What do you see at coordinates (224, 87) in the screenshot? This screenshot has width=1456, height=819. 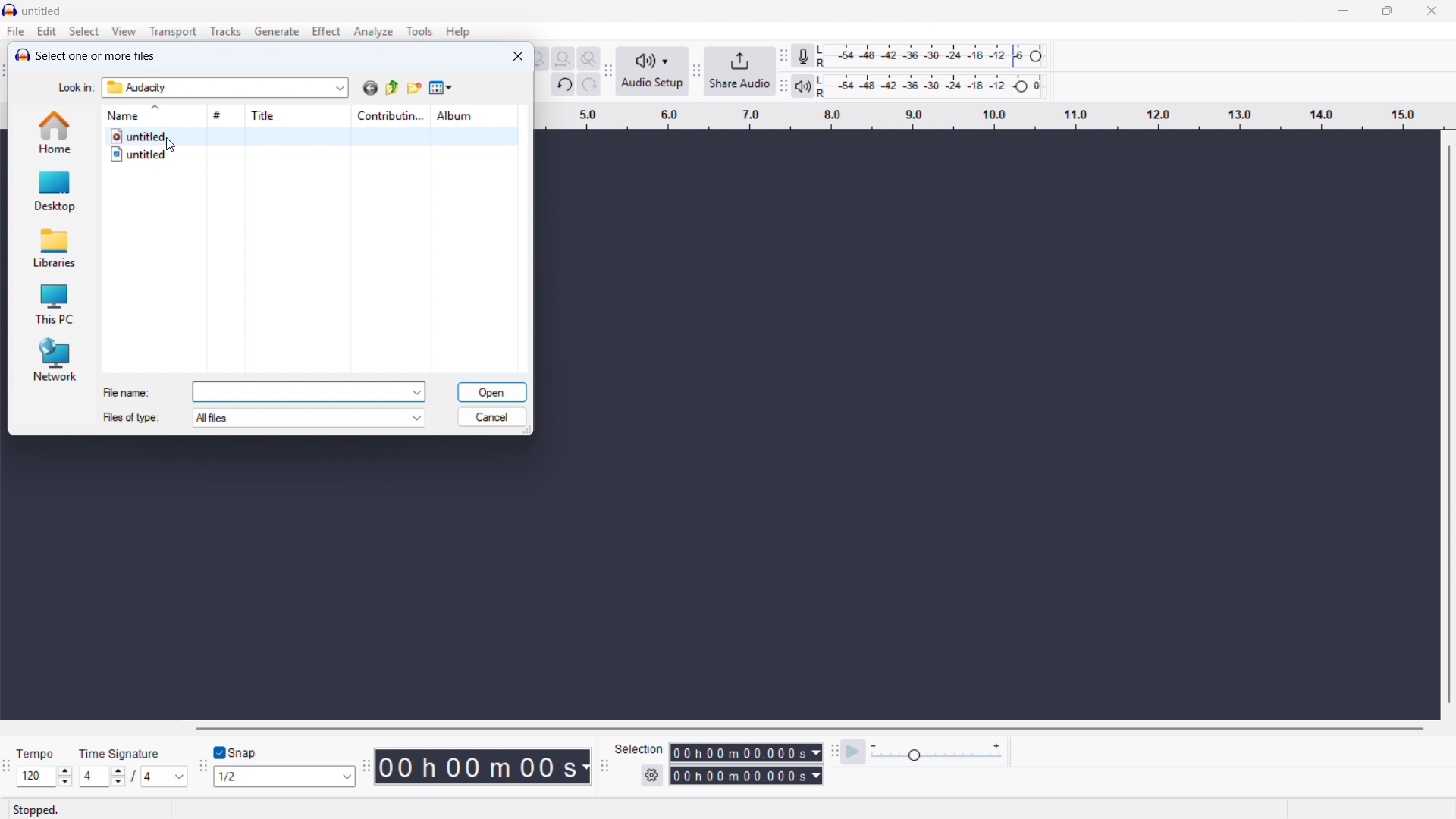 I see `Look in folder` at bounding box center [224, 87].